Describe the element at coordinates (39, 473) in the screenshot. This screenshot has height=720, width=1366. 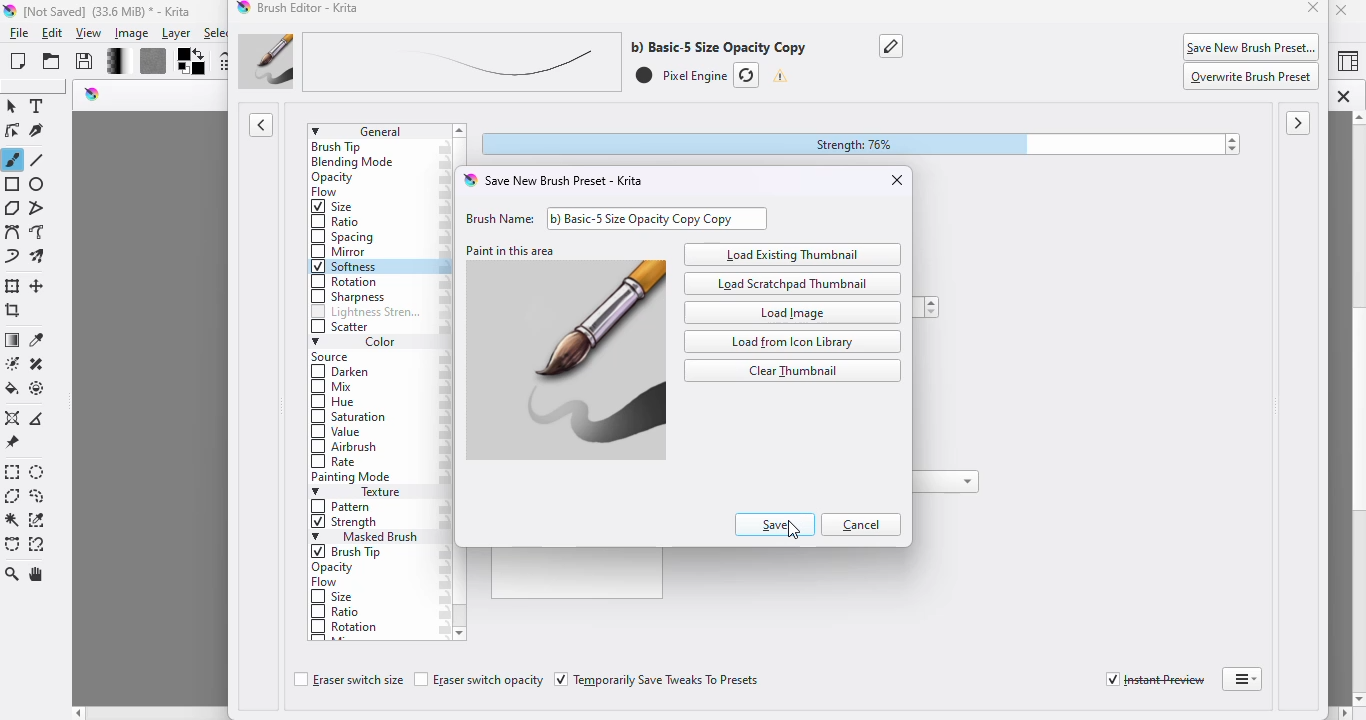
I see `elliptical selection tool` at that location.